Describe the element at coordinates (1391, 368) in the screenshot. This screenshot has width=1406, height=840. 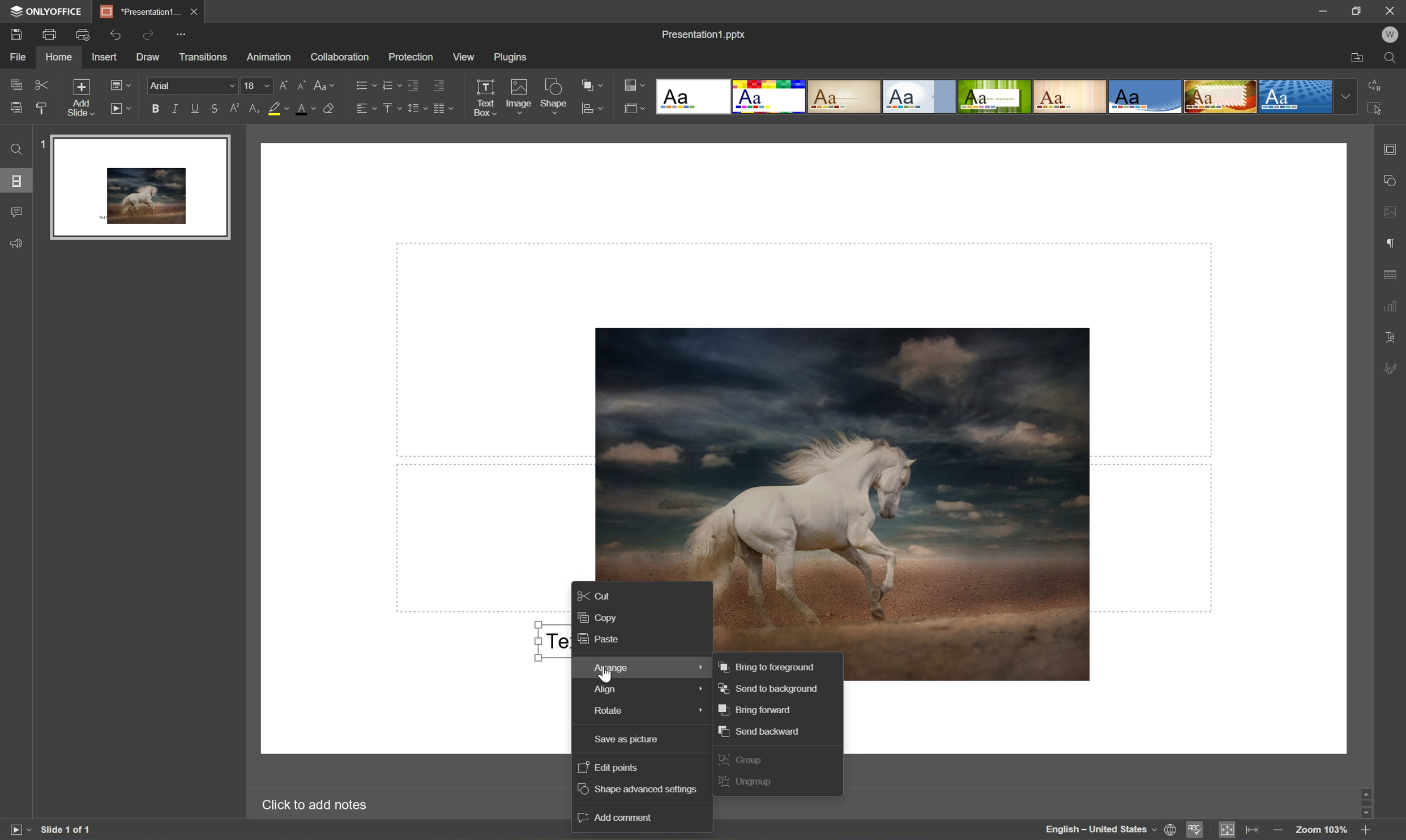
I see `Signature settings` at that location.